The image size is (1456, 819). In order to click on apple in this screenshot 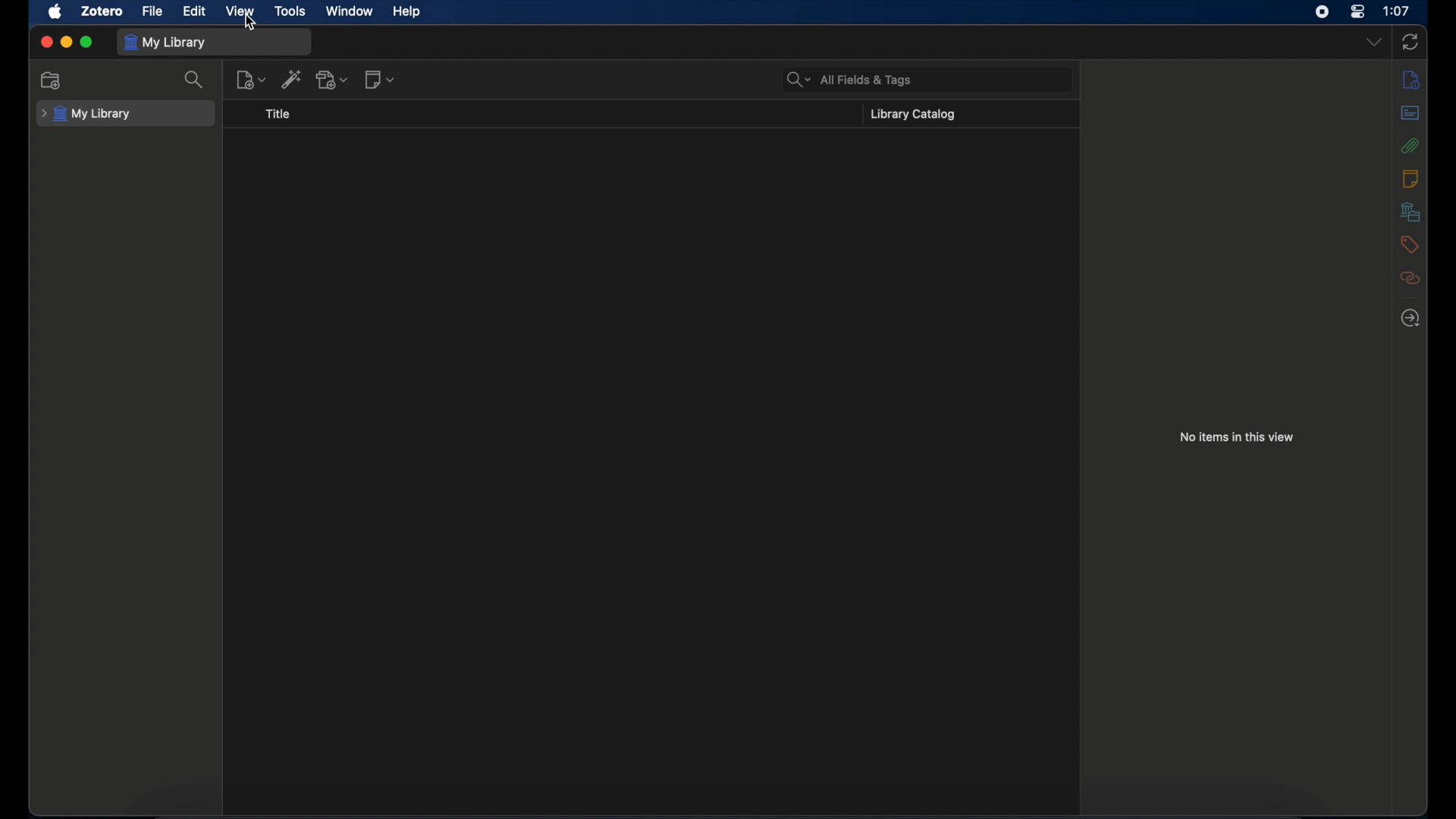, I will do `click(55, 12)`.